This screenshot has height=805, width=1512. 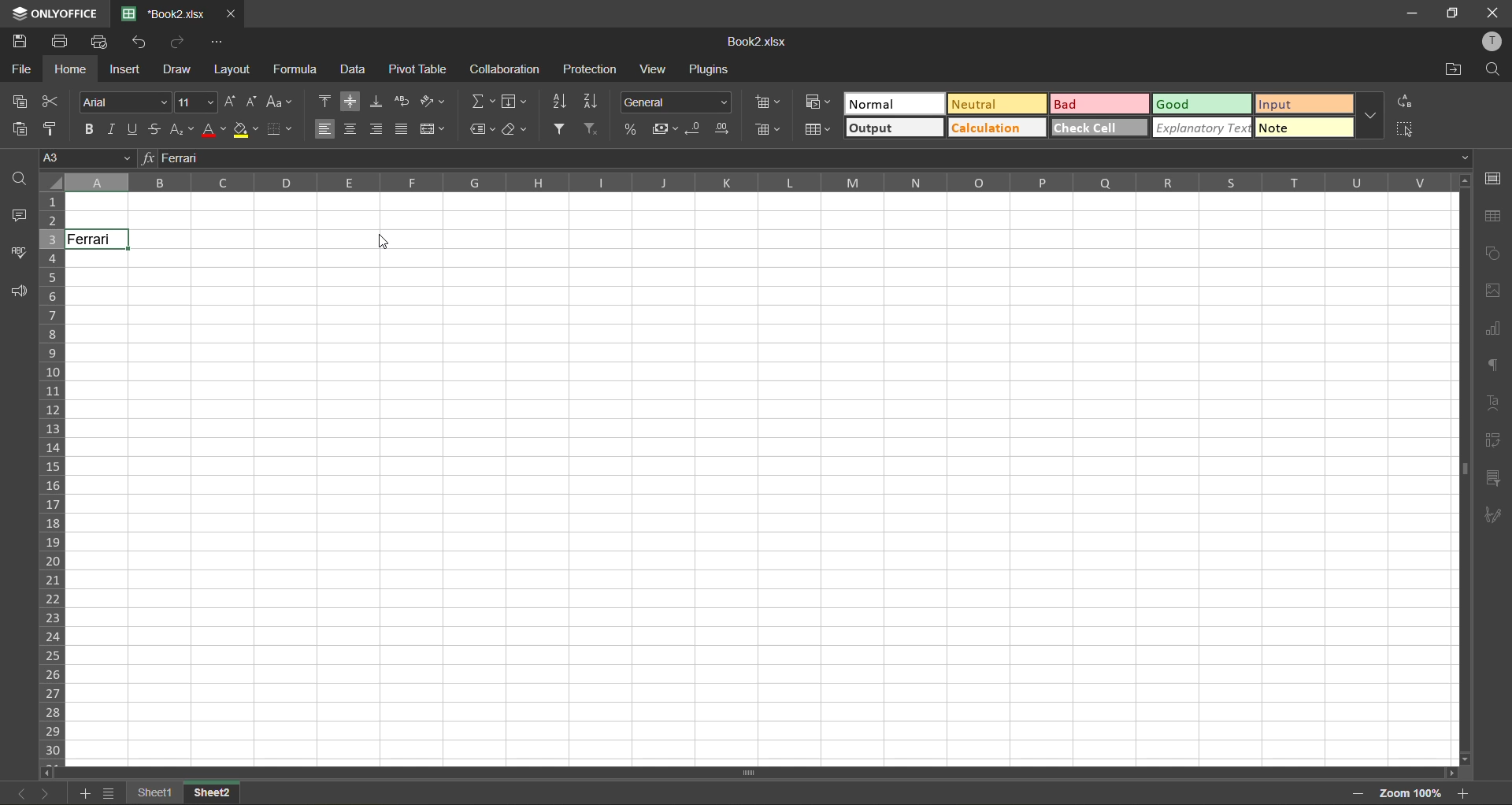 I want to click on font color, so click(x=215, y=129).